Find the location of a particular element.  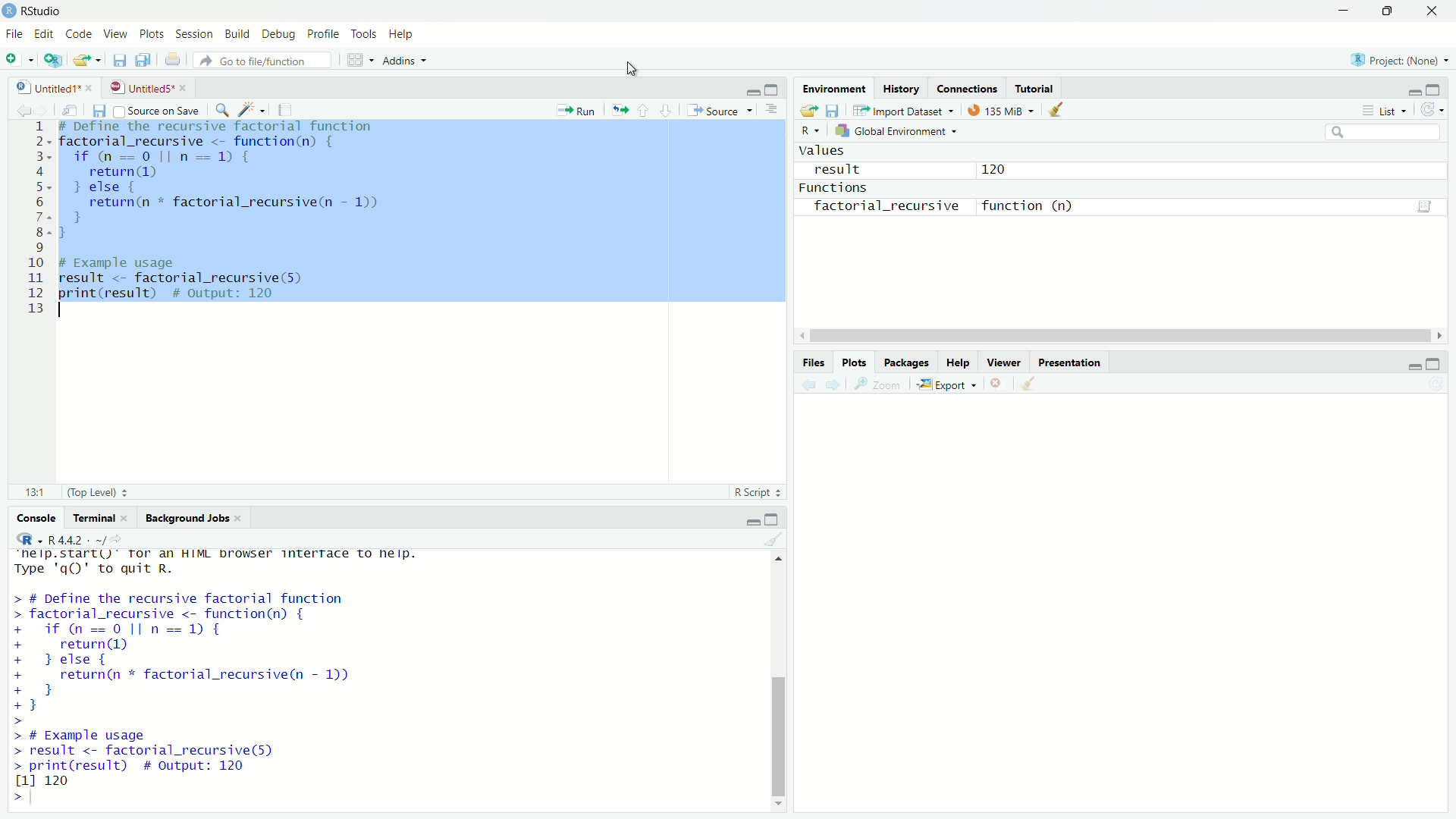

Go forward to the next source location (Ctrl + F10) is located at coordinates (836, 383).